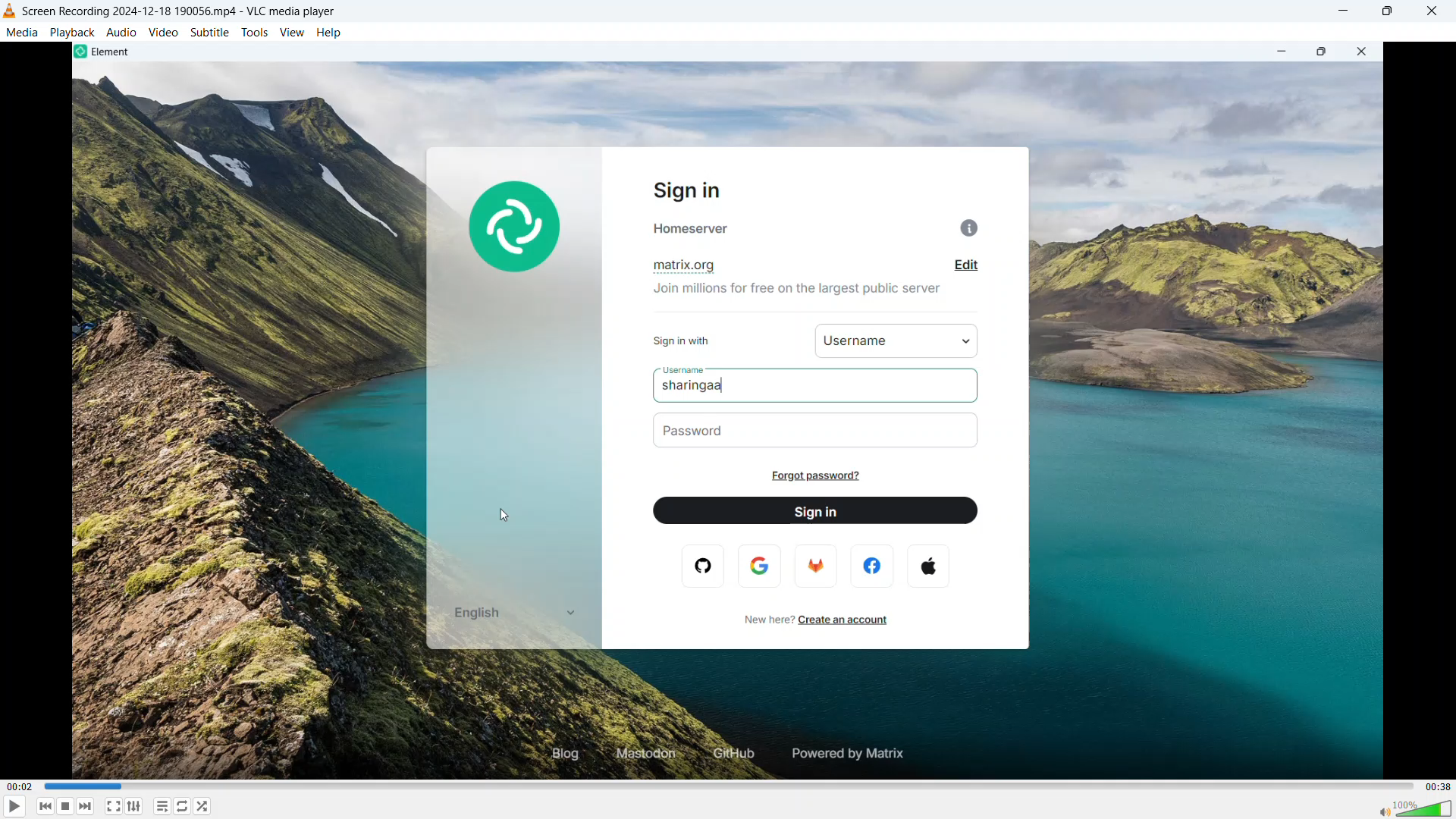 The height and width of the screenshot is (819, 1456). Describe the element at coordinates (1341, 11) in the screenshot. I see `minimise ` at that location.